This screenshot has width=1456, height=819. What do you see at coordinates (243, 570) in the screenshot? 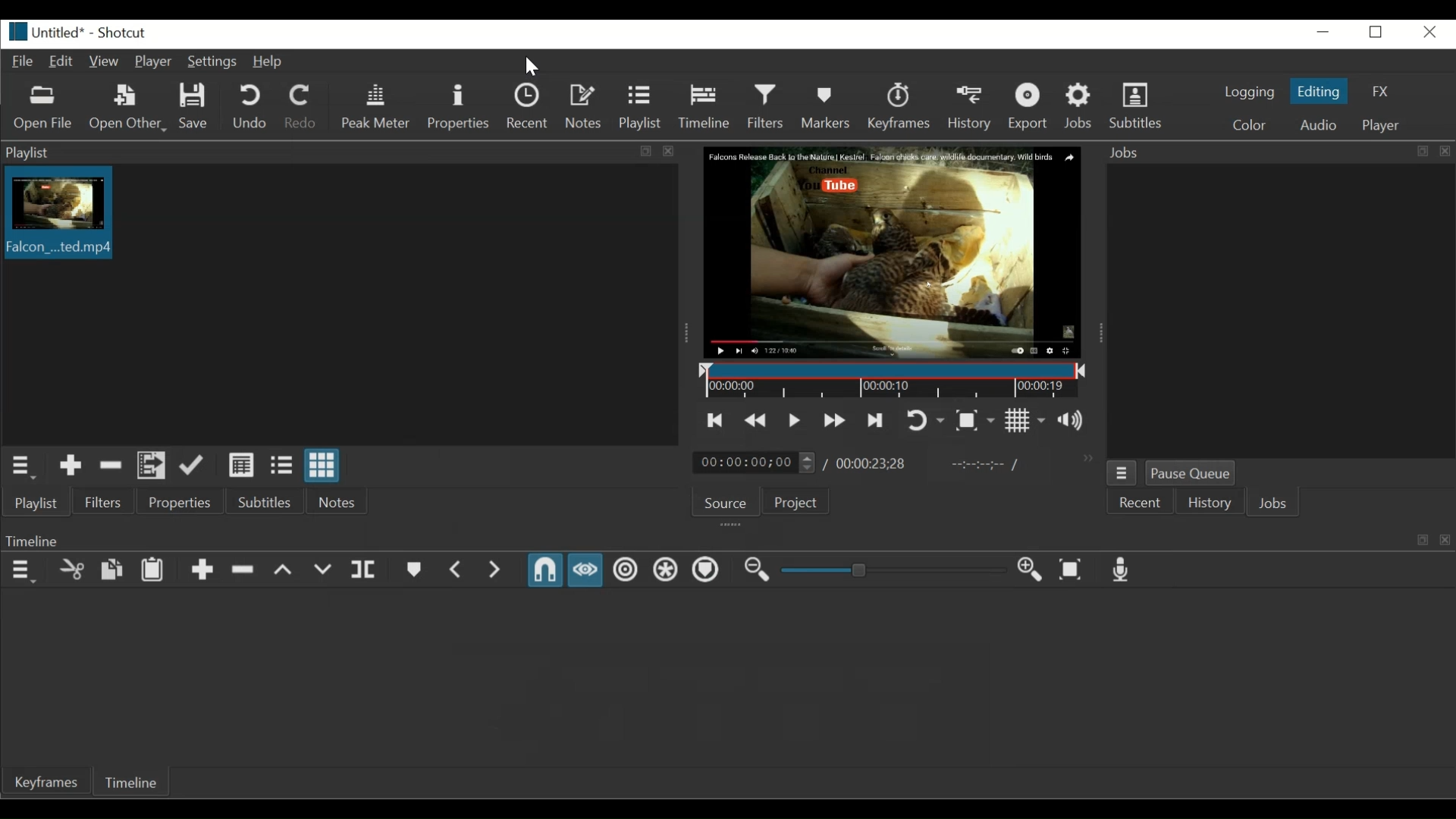
I see `Ripple Delete` at bounding box center [243, 570].